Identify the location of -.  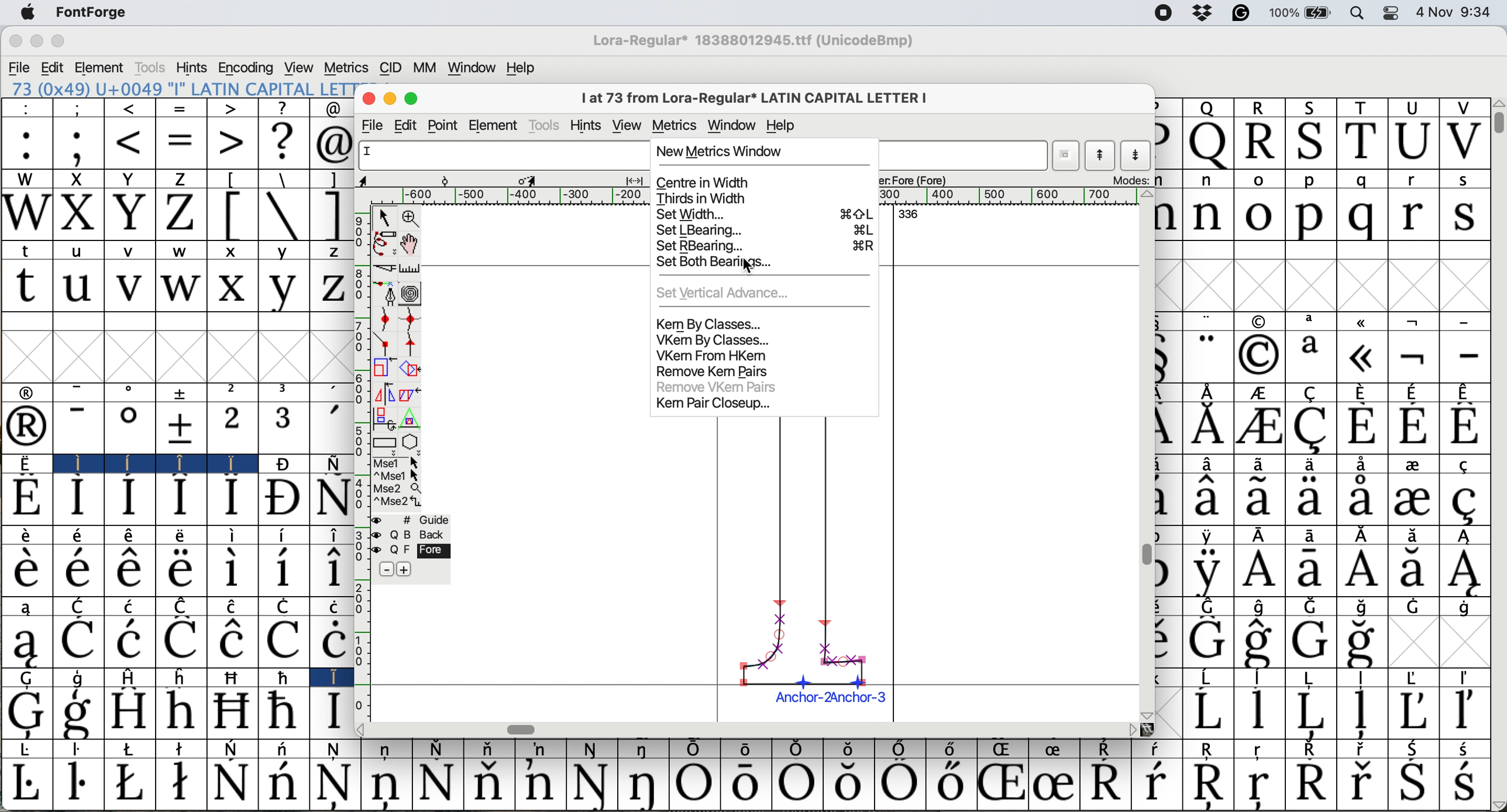
(80, 391).